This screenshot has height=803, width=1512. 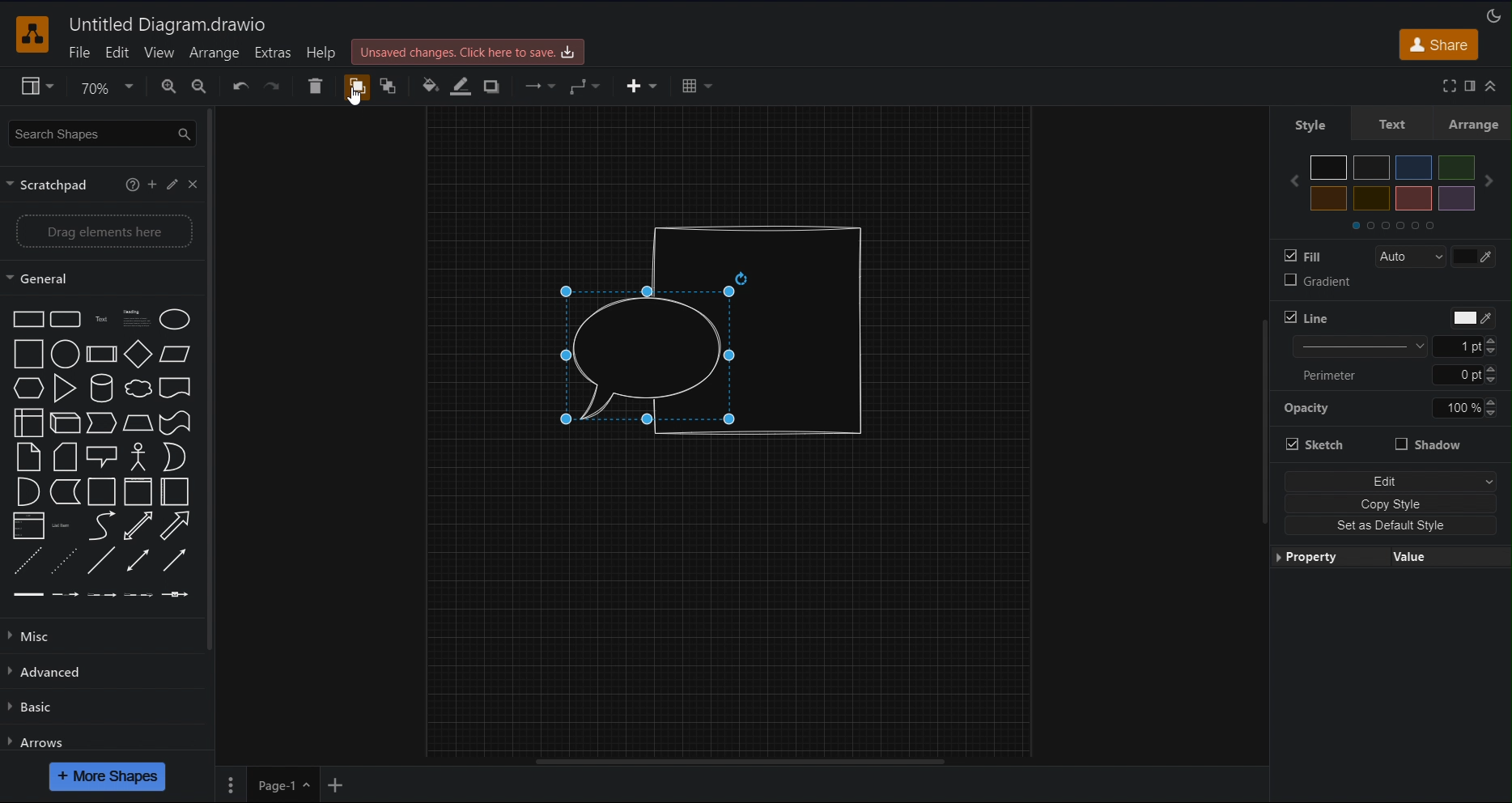 I want to click on Zoom Out, so click(x=202, y=87).